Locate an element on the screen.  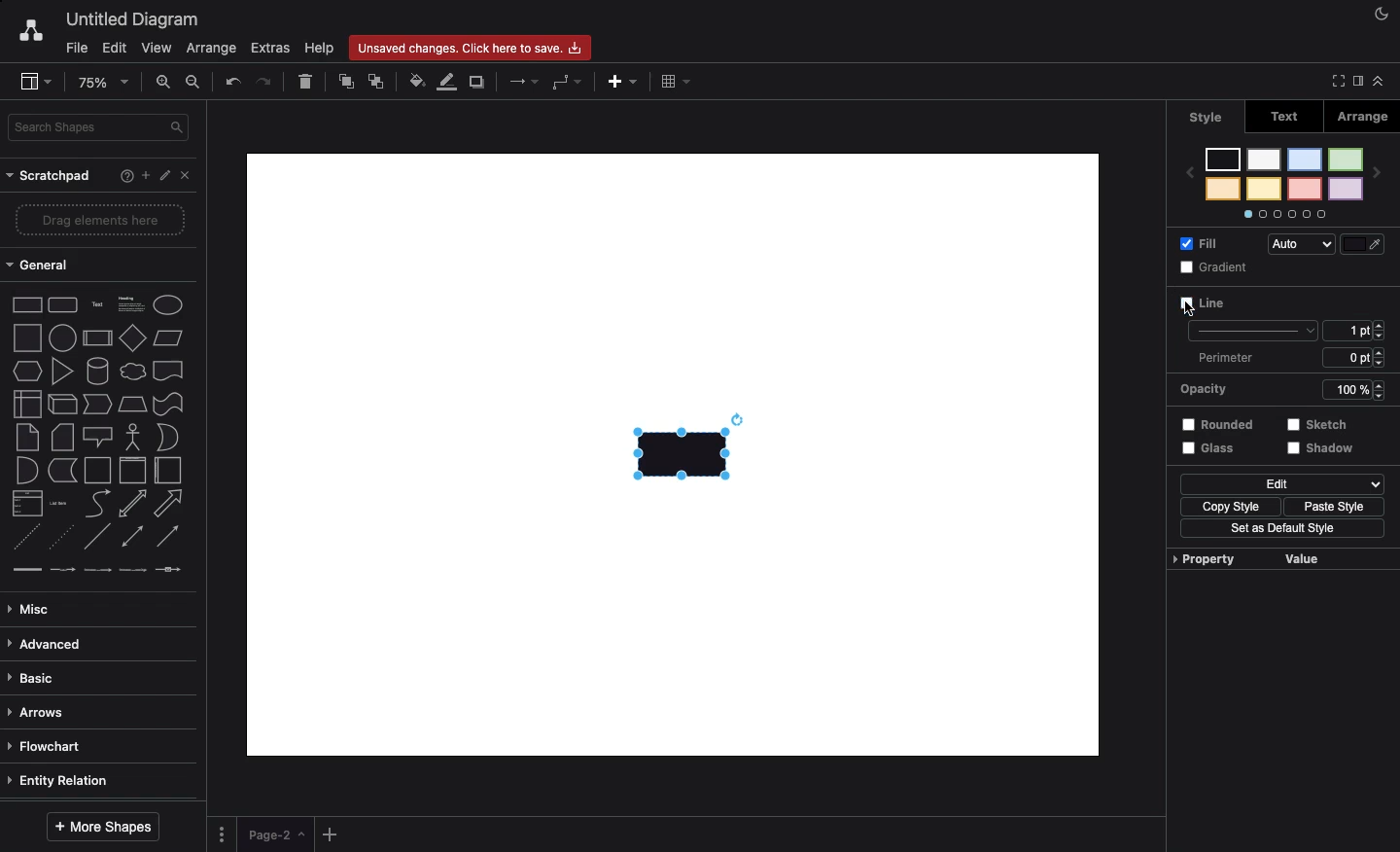
To back is located at coordinates (376, 83).